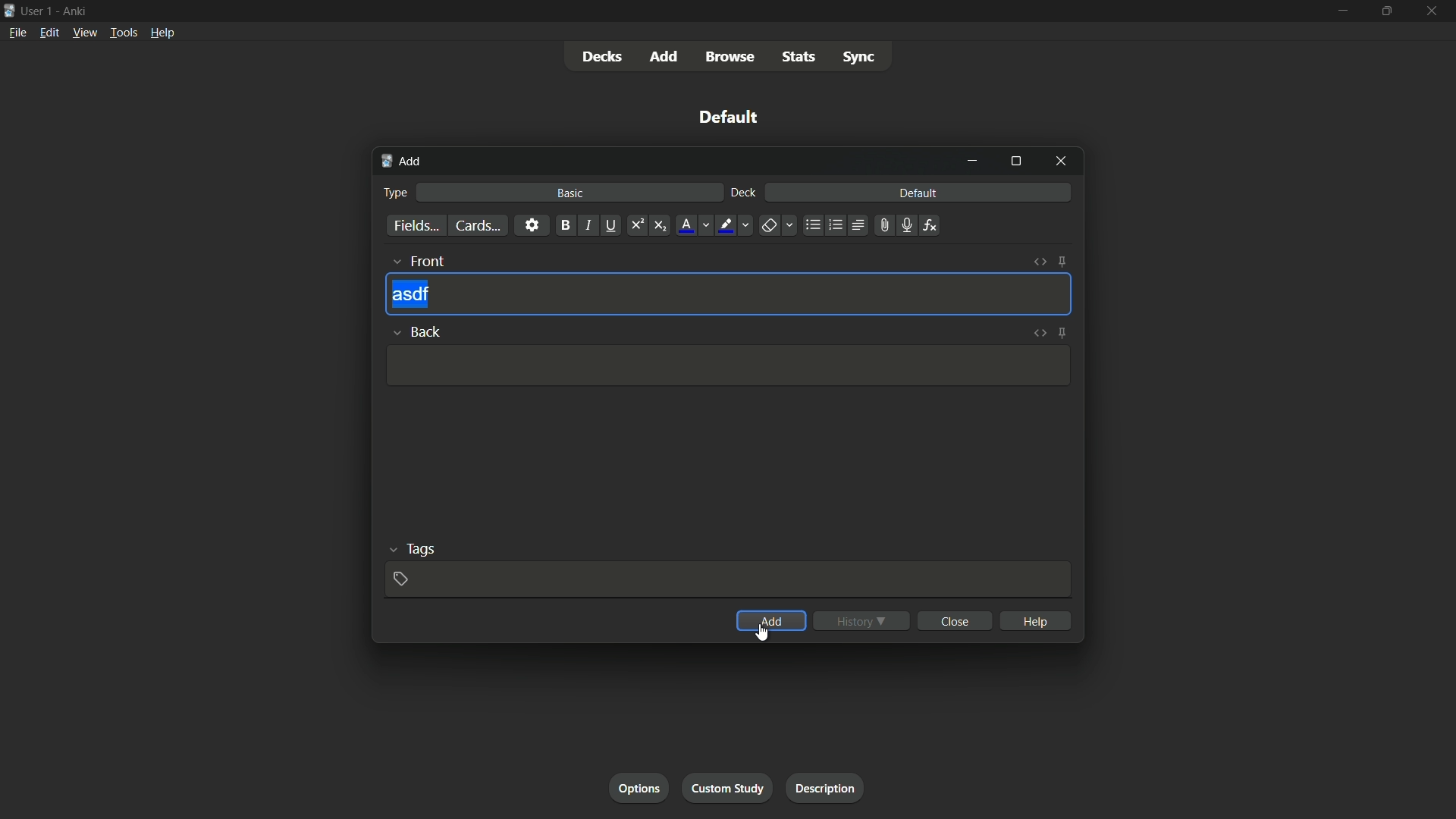  What do you see at coordinates (725, 366) in the screenshot?
I see `Input Template` at bounding box center [725, 366].